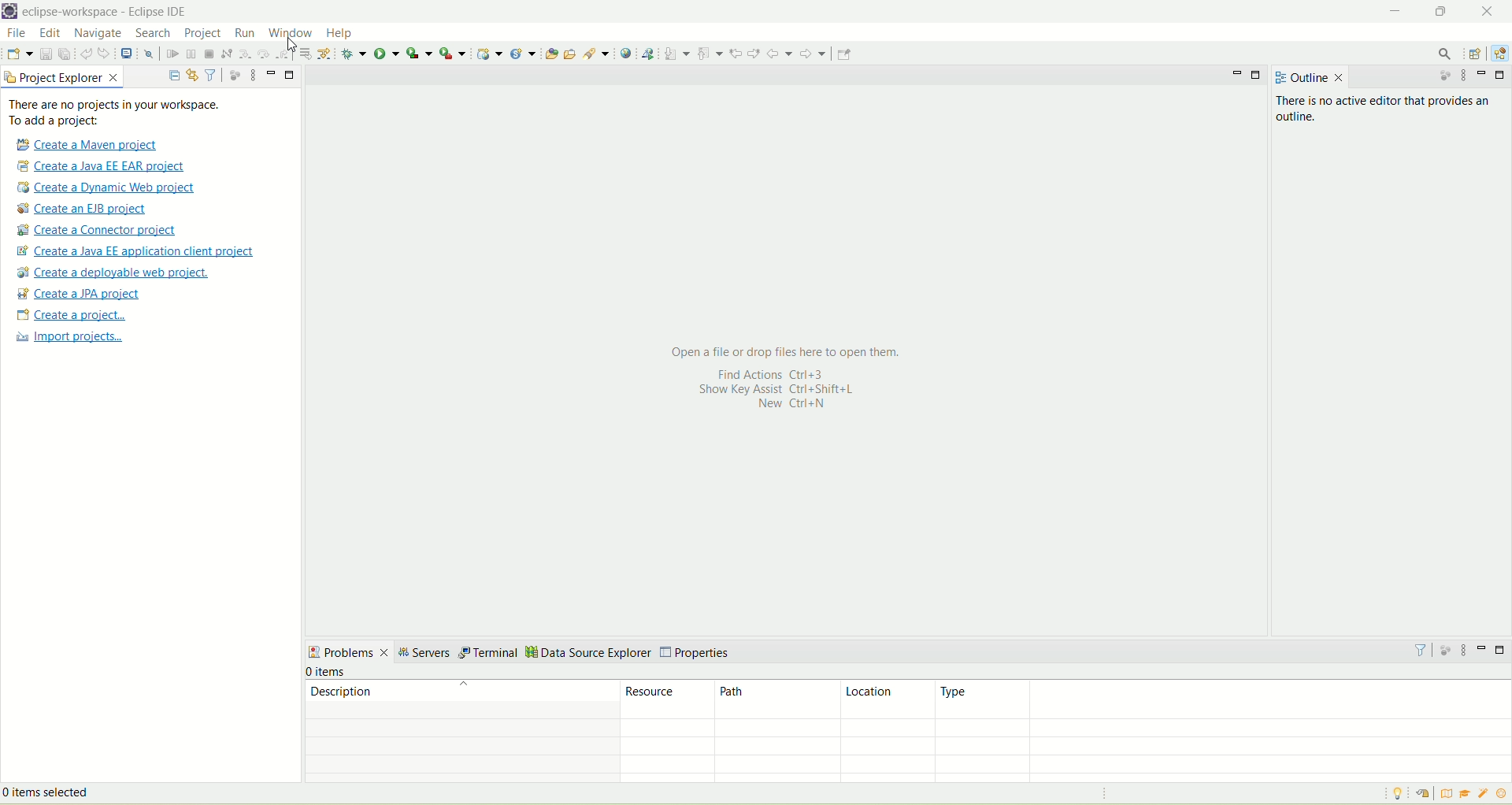 This screenshot has width=1512, height=805. What do you see at coordinates (110, 13) in the screenshot?
I see `eclipse workspace-Eclipse IDE` at bounding box center [110, 13].